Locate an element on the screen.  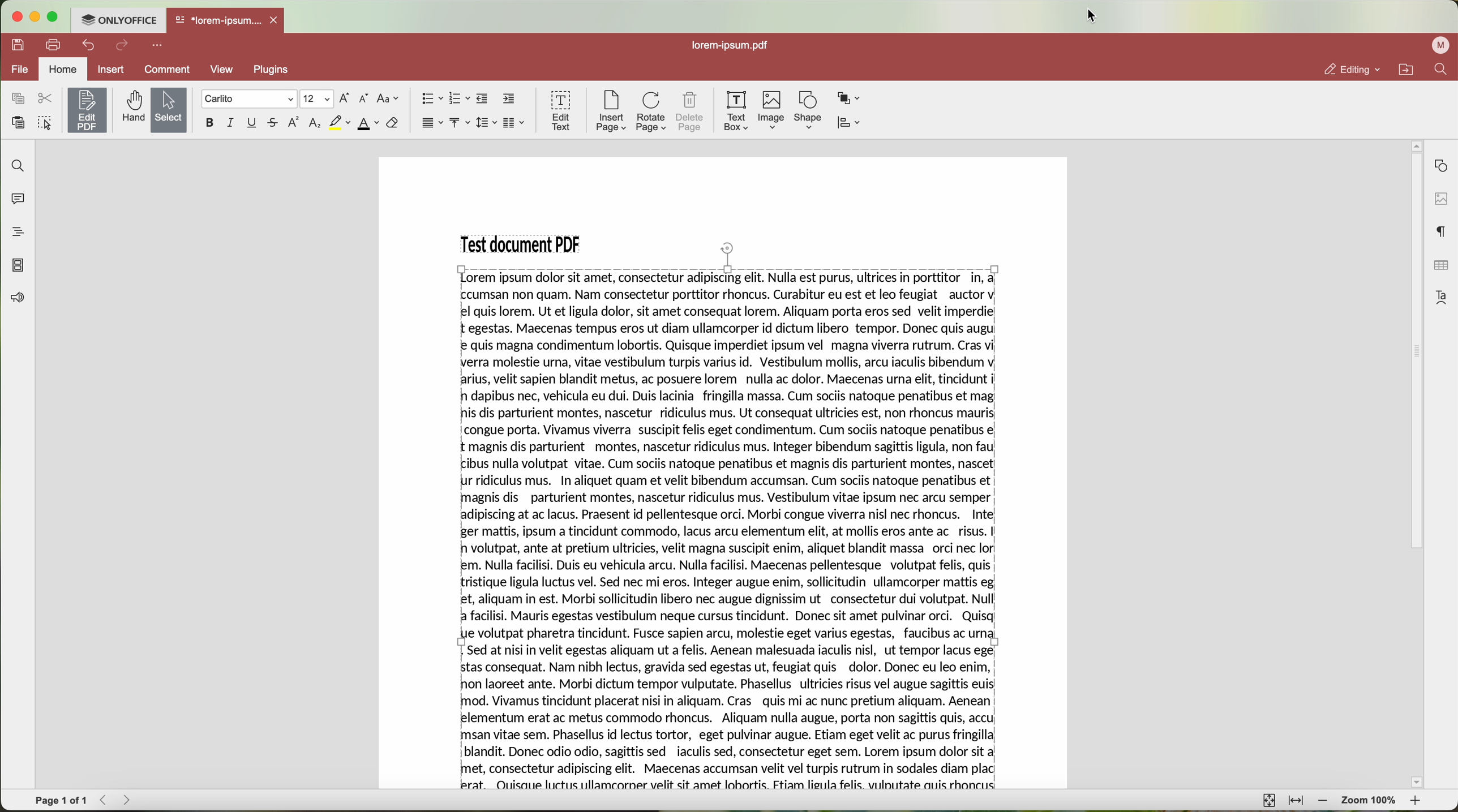
table settings is located at coordinates (1442, 268).